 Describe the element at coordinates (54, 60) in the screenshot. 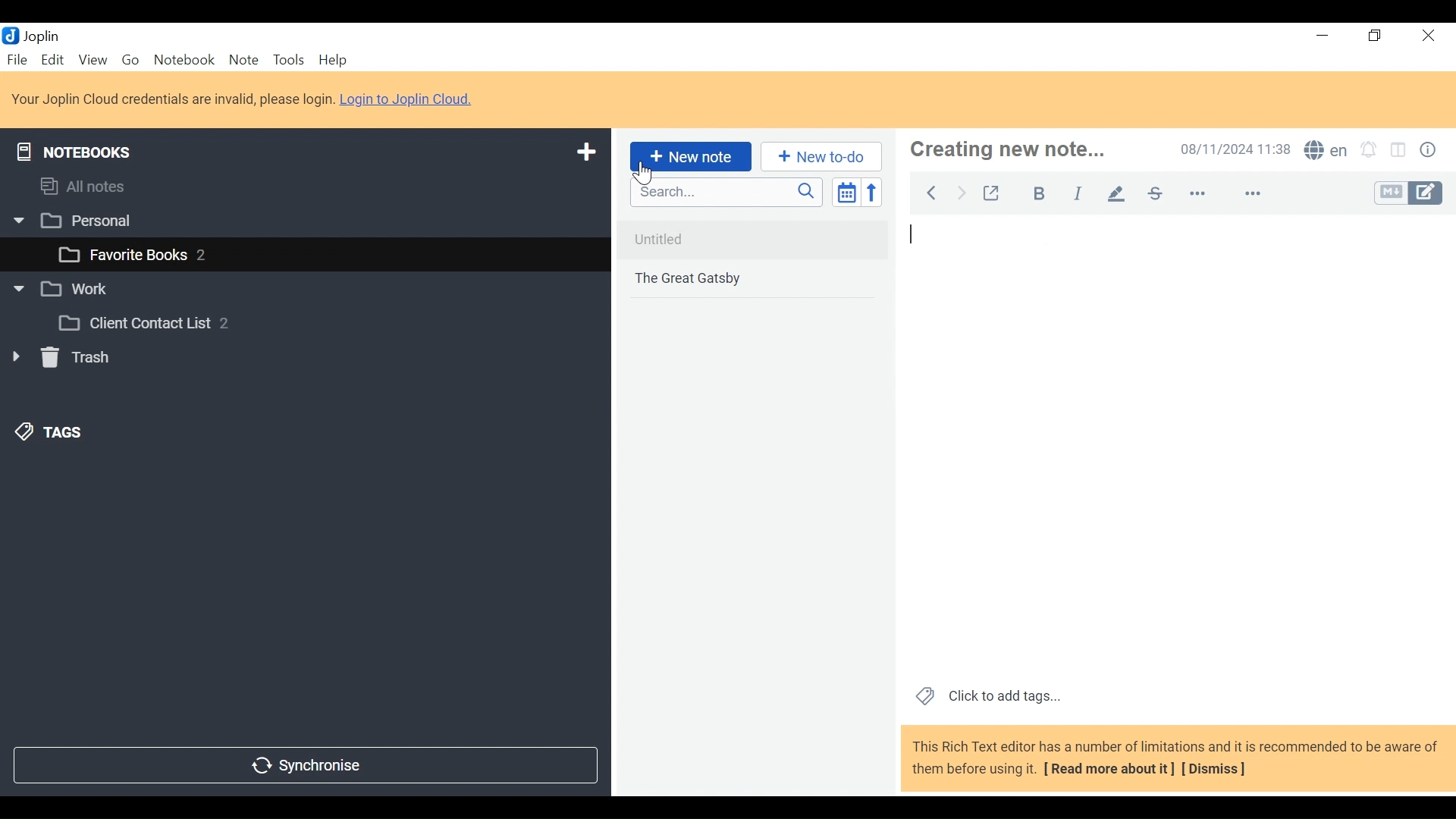

I see `` at that location.